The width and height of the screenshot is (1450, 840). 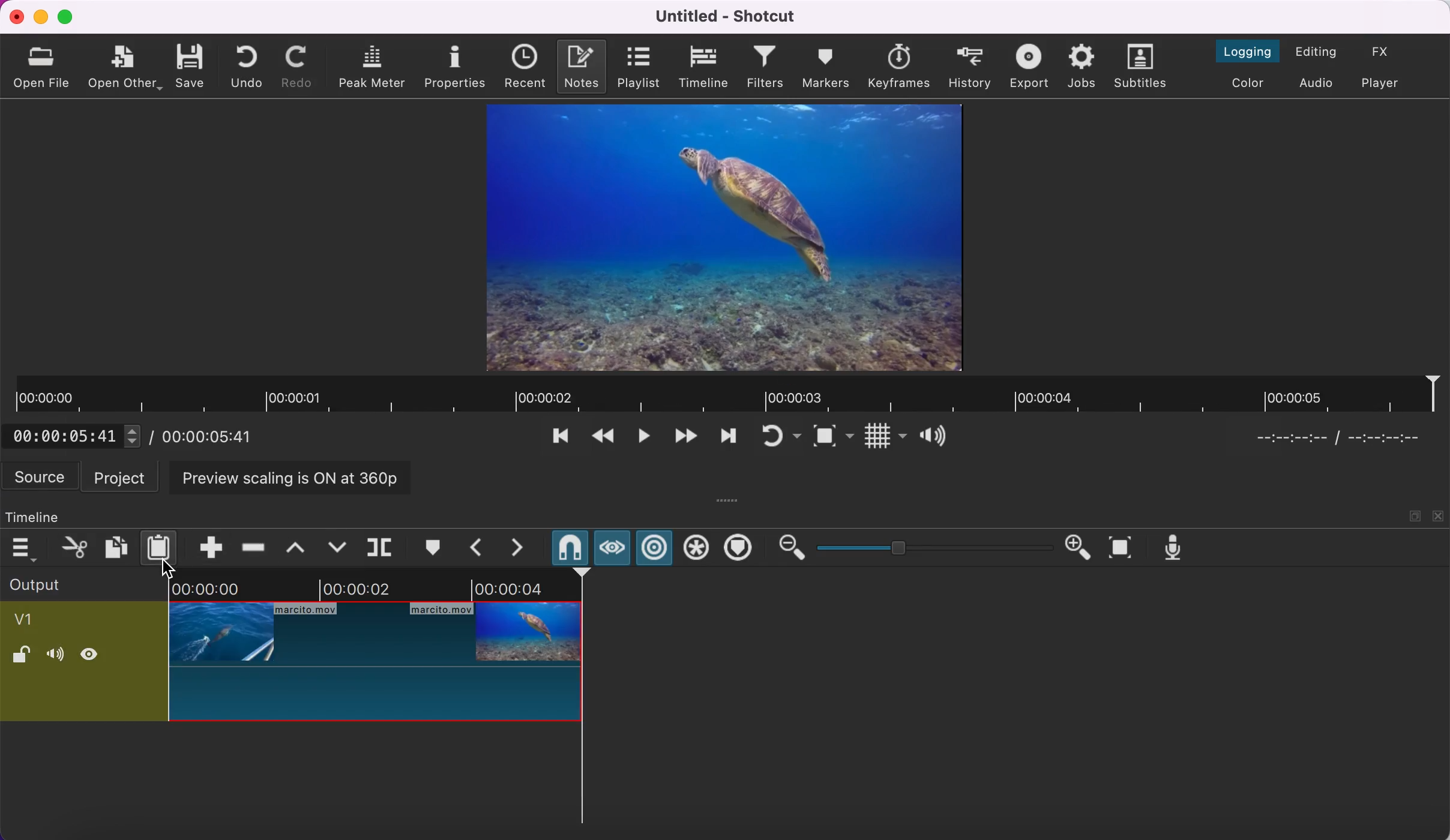 I want to click on redo, so click(x=300, y=66).